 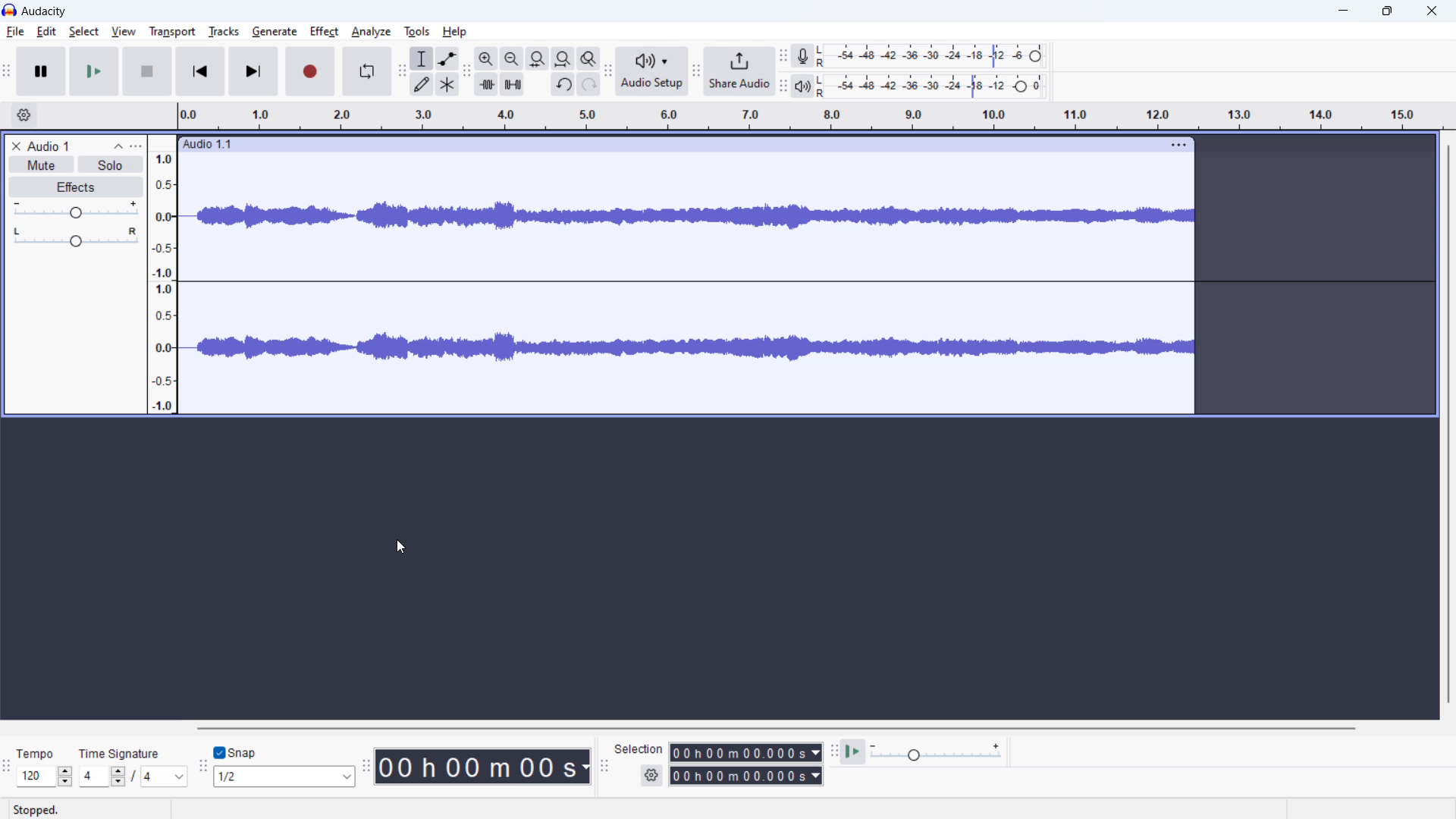 I want to click on close, so click(x=1432, y=9).